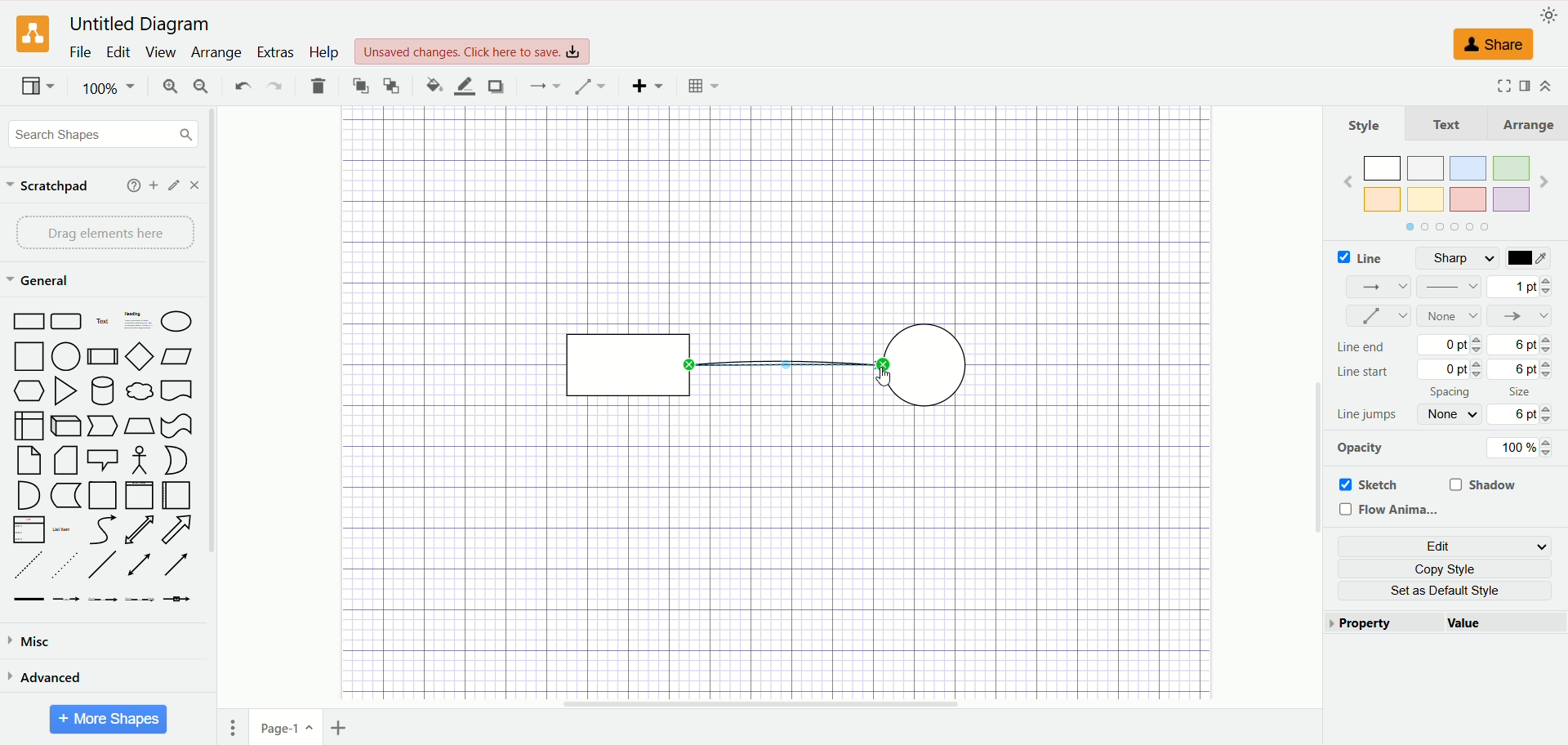 This screenshot has width=1568, height=745. Describe the element at coordinates (768, 704) in the screenshot. I see `horizontal scroll bar` at that location.